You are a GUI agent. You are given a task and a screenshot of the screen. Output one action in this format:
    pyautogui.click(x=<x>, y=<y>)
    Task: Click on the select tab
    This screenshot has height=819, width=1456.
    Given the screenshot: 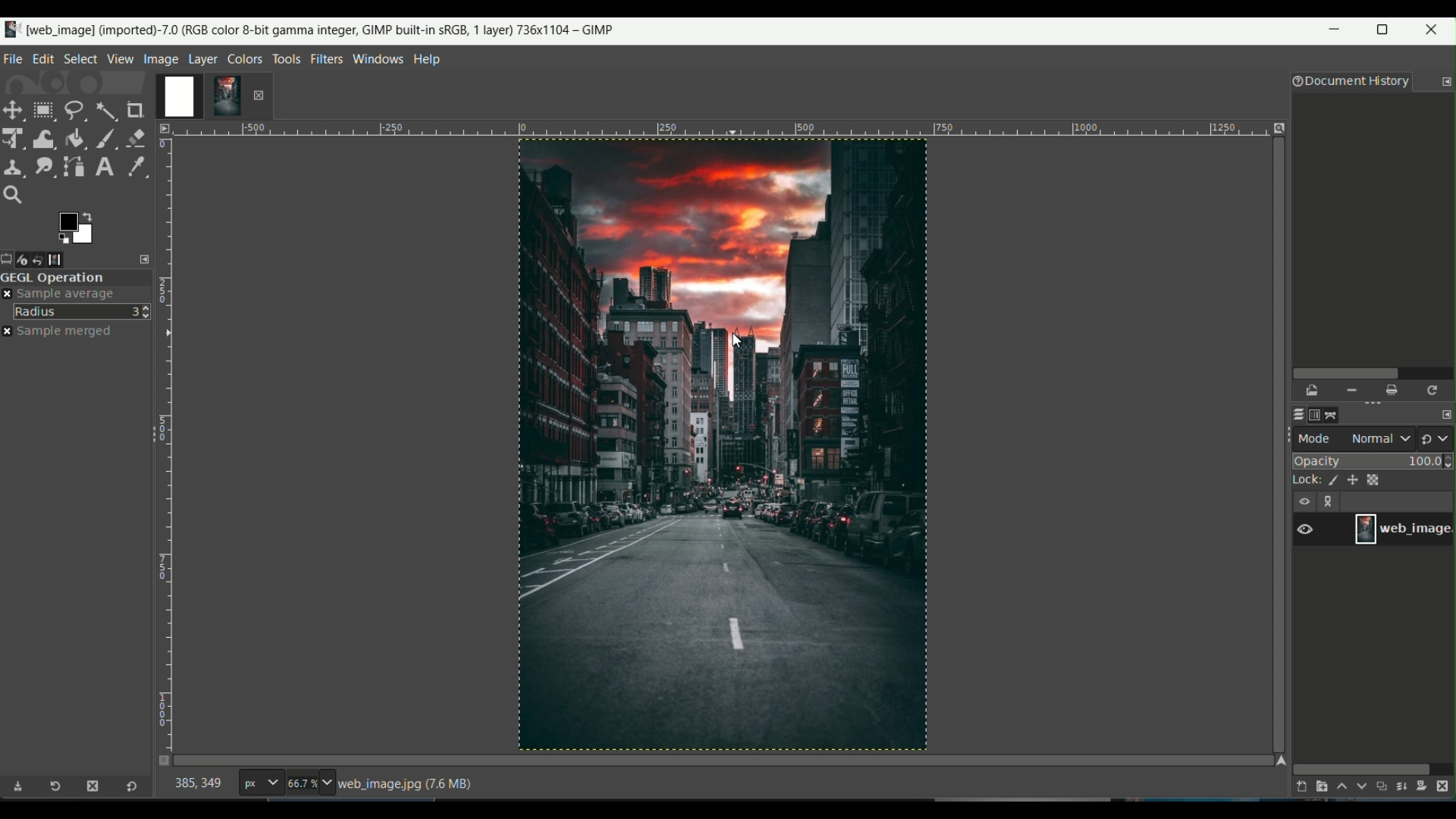 What is the action you would take?
    pyautogui.click(x=80, y=58)
    